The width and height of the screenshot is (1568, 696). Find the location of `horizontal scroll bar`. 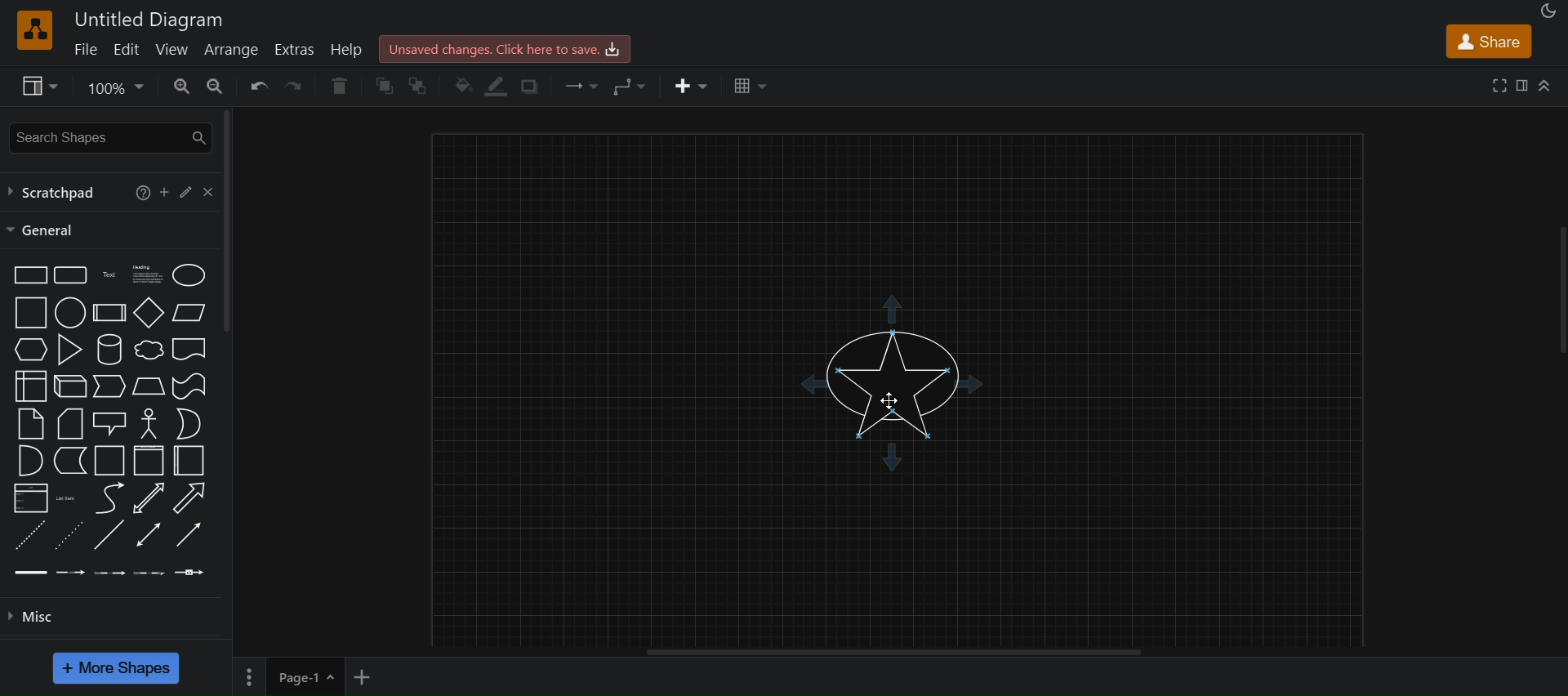

horizontal scroll bar is located at coordinates (898, 655).